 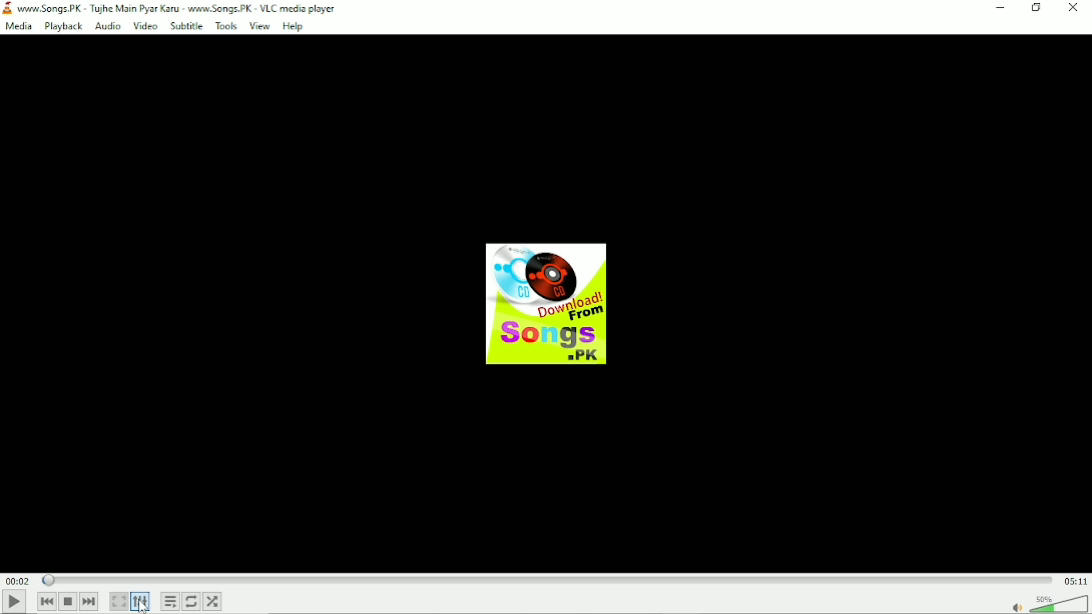 What do you see at coordinates (1016, 607) in the screenshot?
I see `mute` at bounding box center [1016, 607].